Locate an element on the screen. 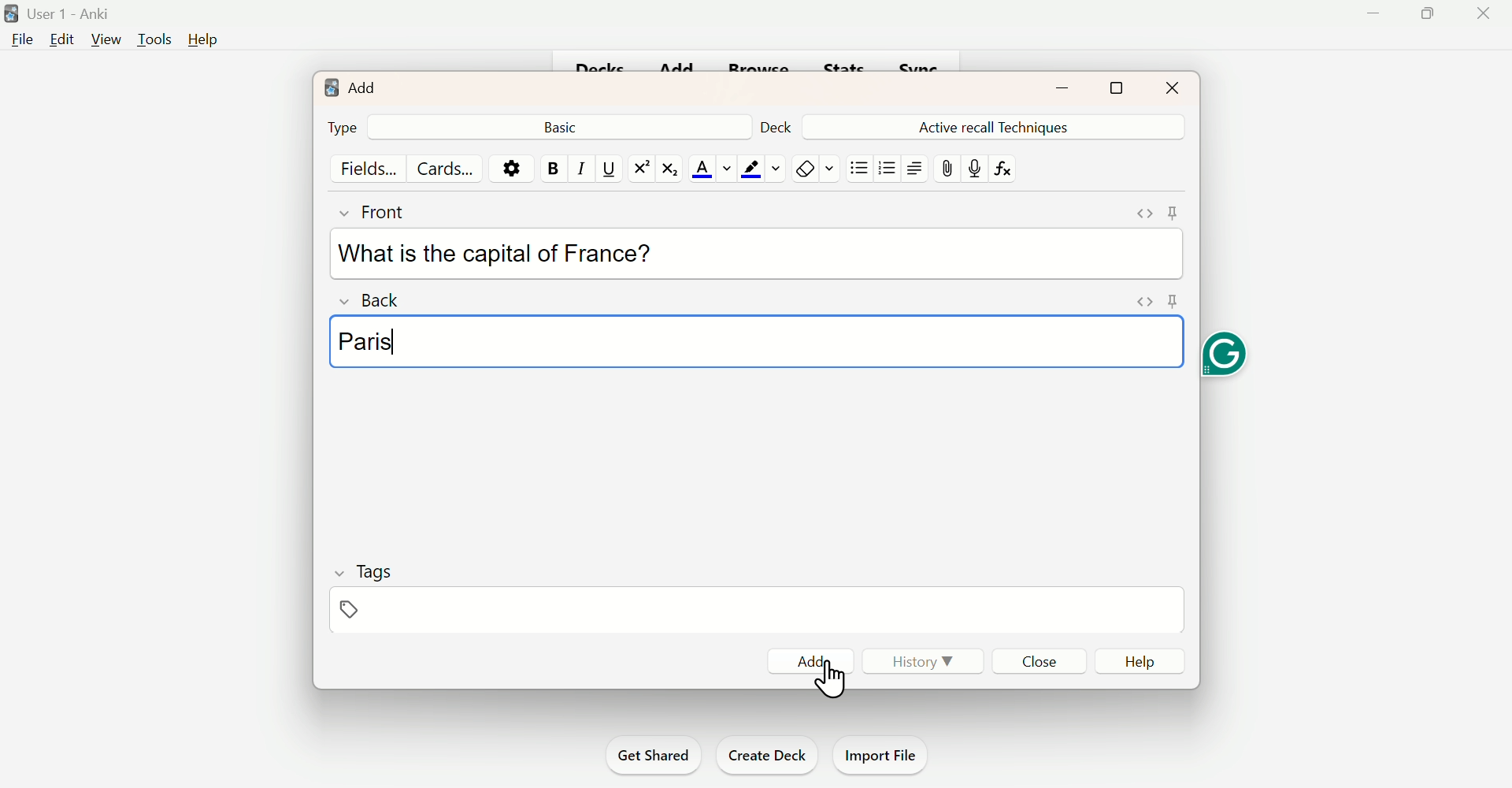 The width and height of the screenshot is (1512, 788). Active Recall Techniques is located at coordinates (998, 125).